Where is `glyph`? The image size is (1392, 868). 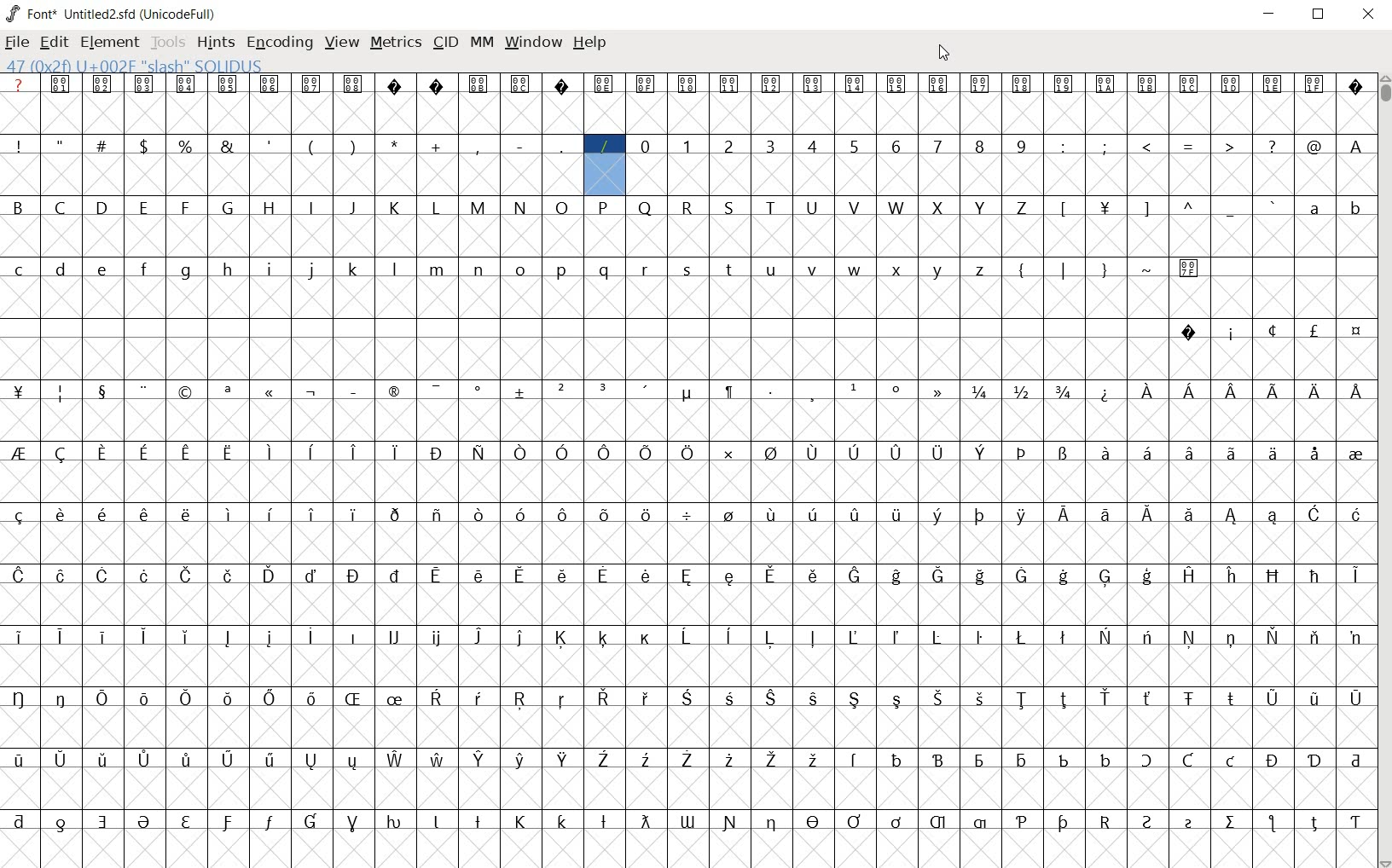
glyph is located at coordinates (1356, 89).